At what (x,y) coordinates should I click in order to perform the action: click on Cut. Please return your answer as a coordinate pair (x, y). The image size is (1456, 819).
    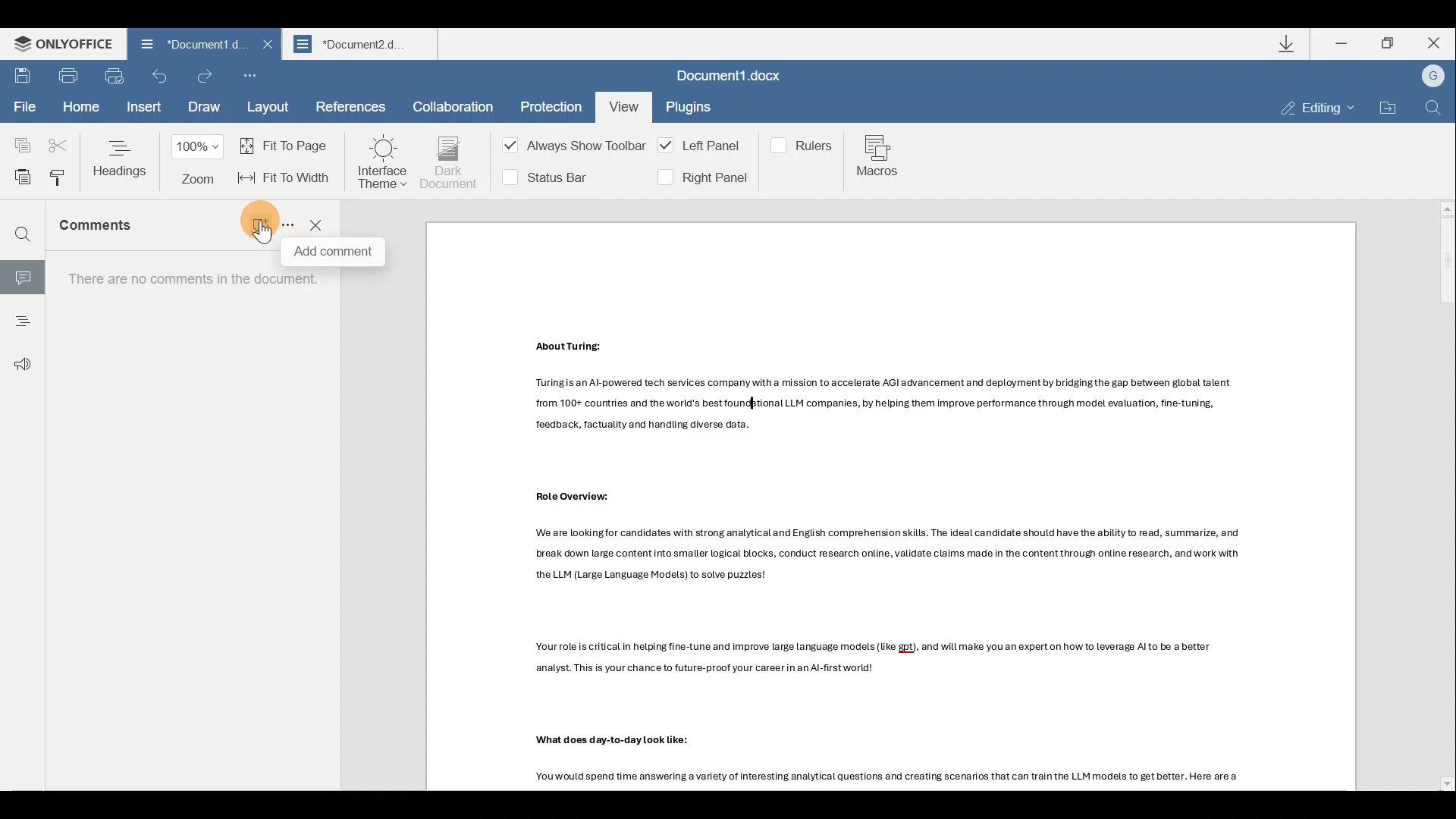
    Looking at the image, I should click on (59, 140).